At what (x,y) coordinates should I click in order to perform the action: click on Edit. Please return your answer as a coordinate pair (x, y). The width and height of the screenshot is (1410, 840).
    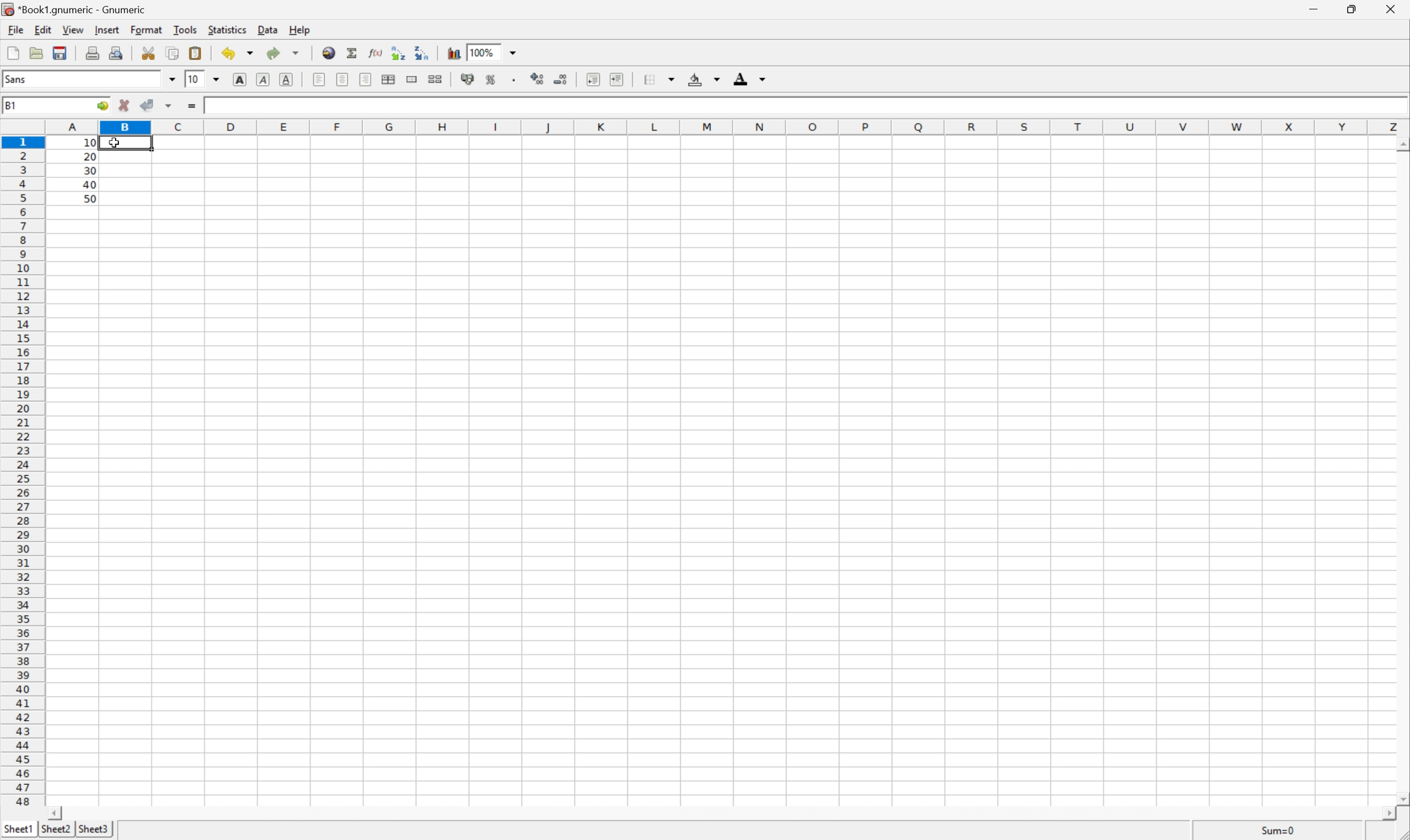
    Looking at the image, I should click on (42, 29).